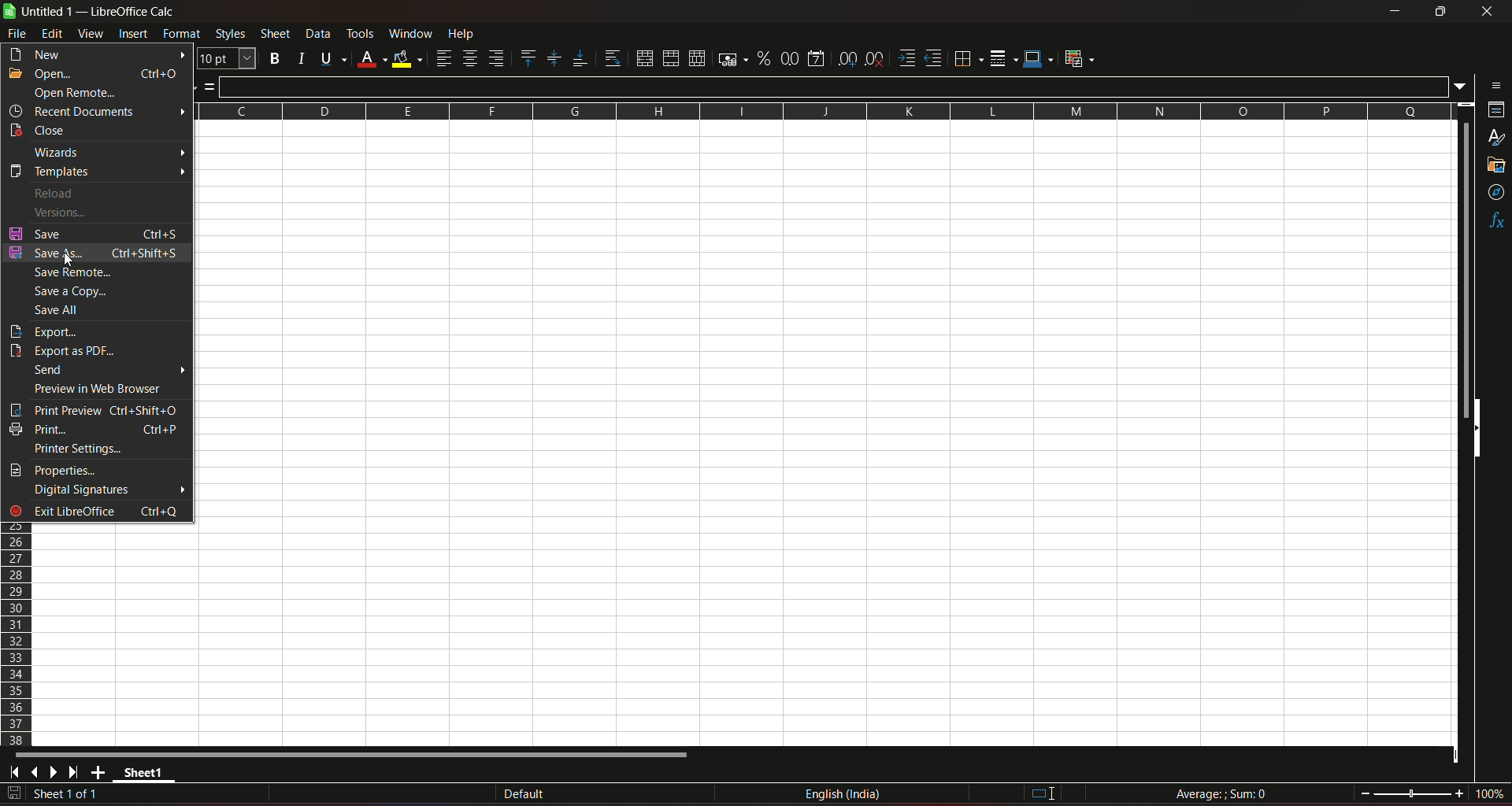  What do you see at coordinates (94, 233) in the screenshot?
I see `save` at bounding box center [94, 233].